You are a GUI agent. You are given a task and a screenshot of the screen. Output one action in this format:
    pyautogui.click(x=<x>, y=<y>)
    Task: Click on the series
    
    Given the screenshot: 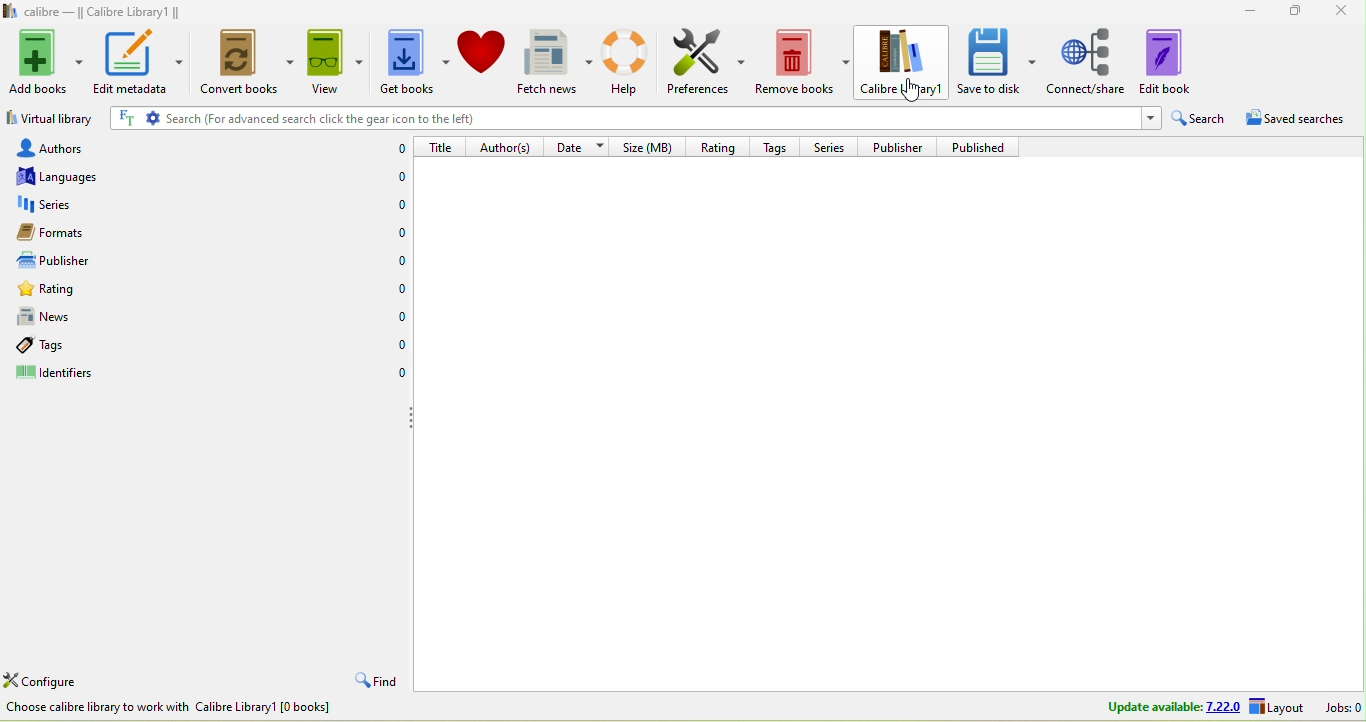 What is the action you would take?
    pyautogui.click(x=831, y=146)
    